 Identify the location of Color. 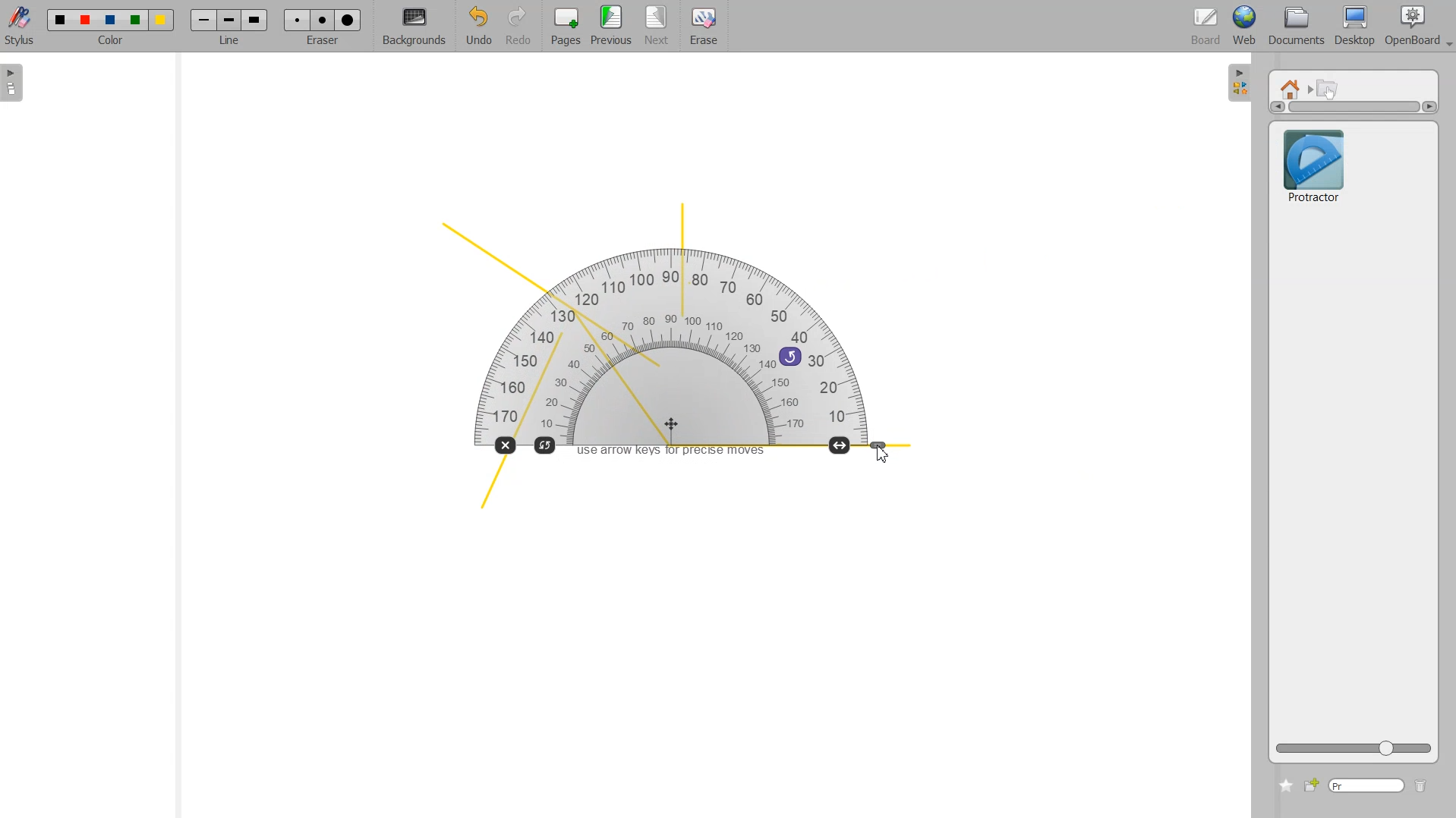
(111, 20).